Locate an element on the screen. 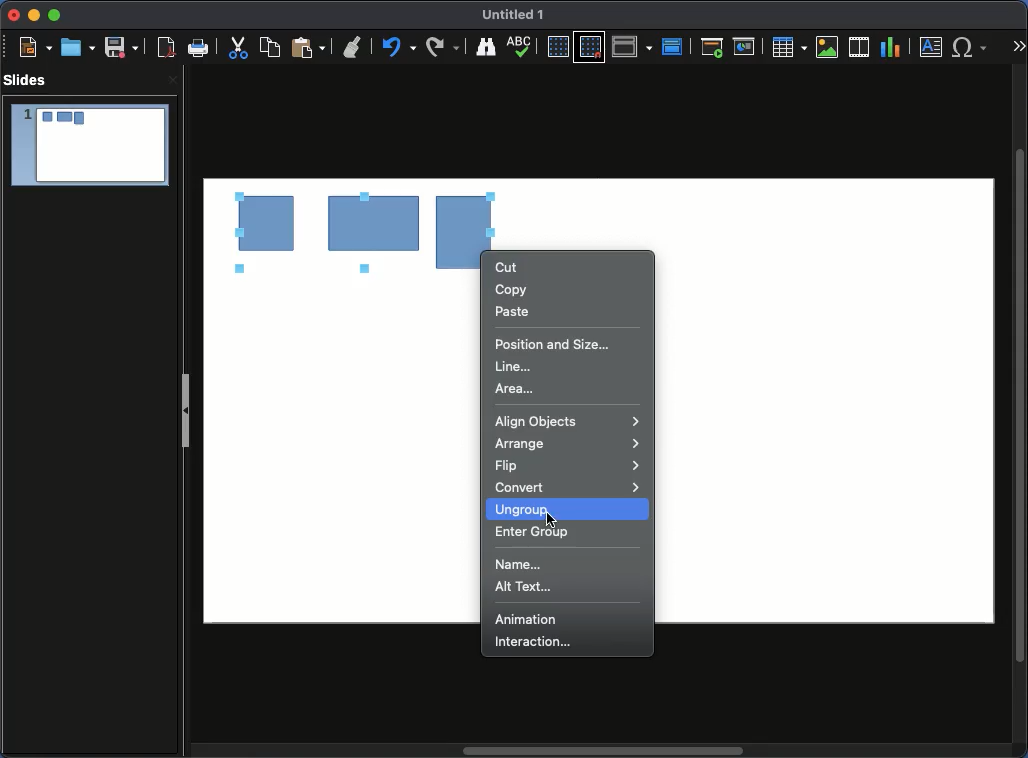  Audio or video is located at coordinates (860, 47).